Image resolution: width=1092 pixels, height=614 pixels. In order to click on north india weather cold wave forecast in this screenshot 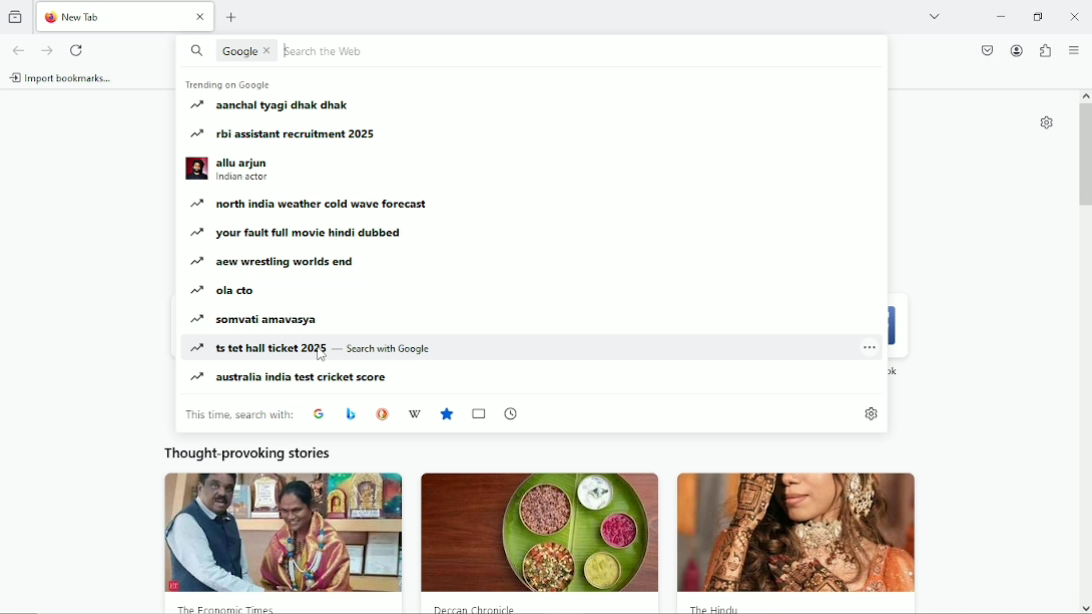, I will do `click(314, 204)`.